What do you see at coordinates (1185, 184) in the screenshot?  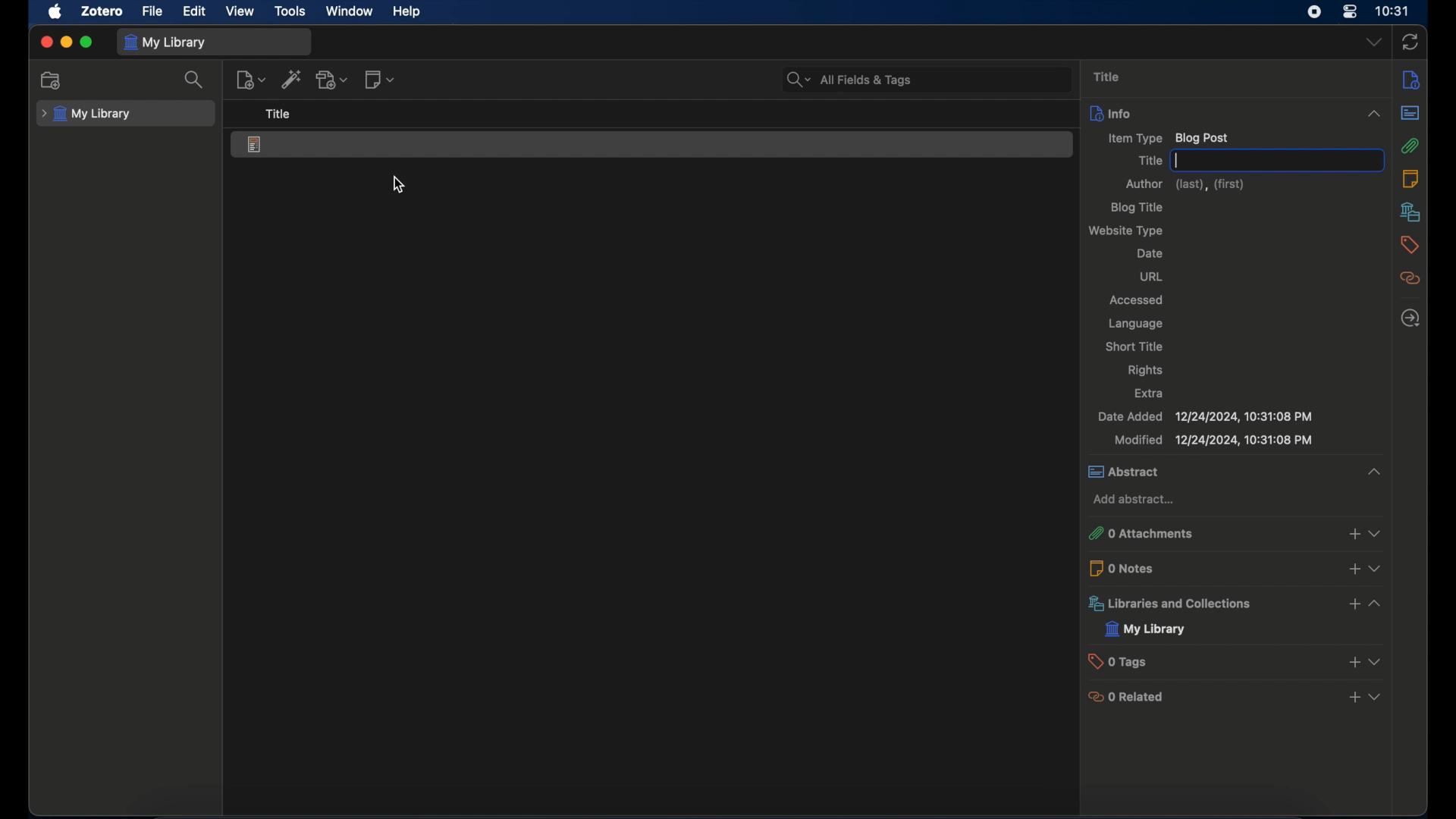 I see `author` at bounding box center [1185, 184].